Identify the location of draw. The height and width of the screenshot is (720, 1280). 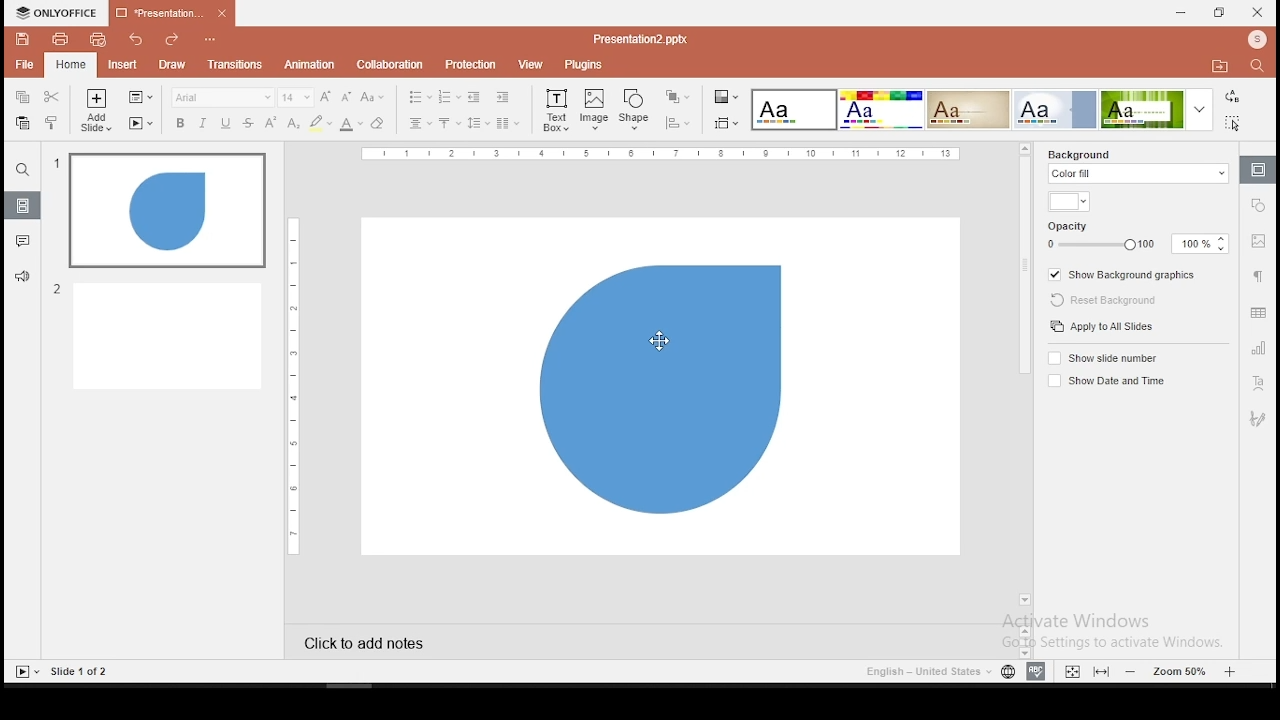
(172, 65).